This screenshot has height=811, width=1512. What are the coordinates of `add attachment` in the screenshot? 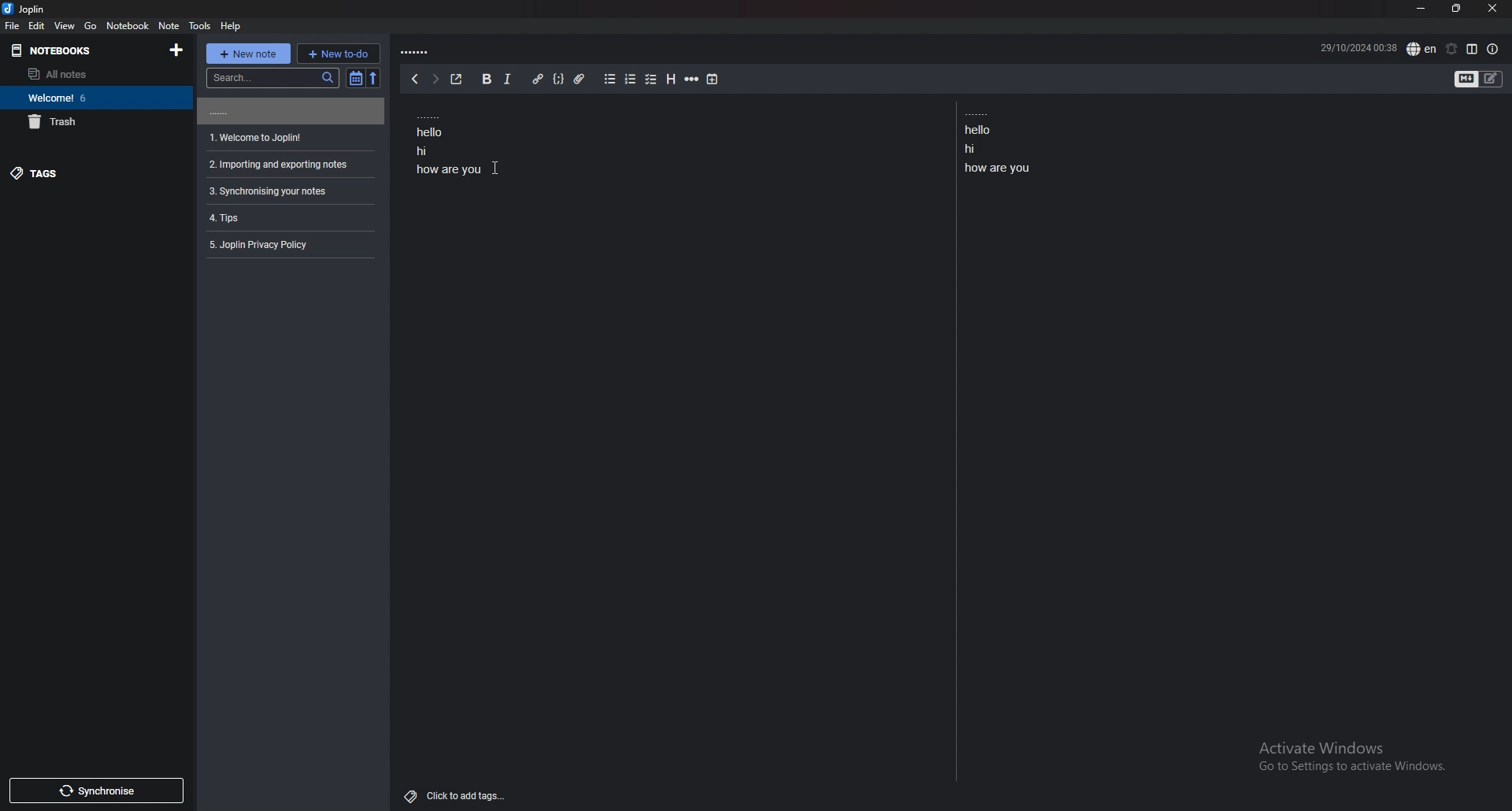 It's located at (579, 80).